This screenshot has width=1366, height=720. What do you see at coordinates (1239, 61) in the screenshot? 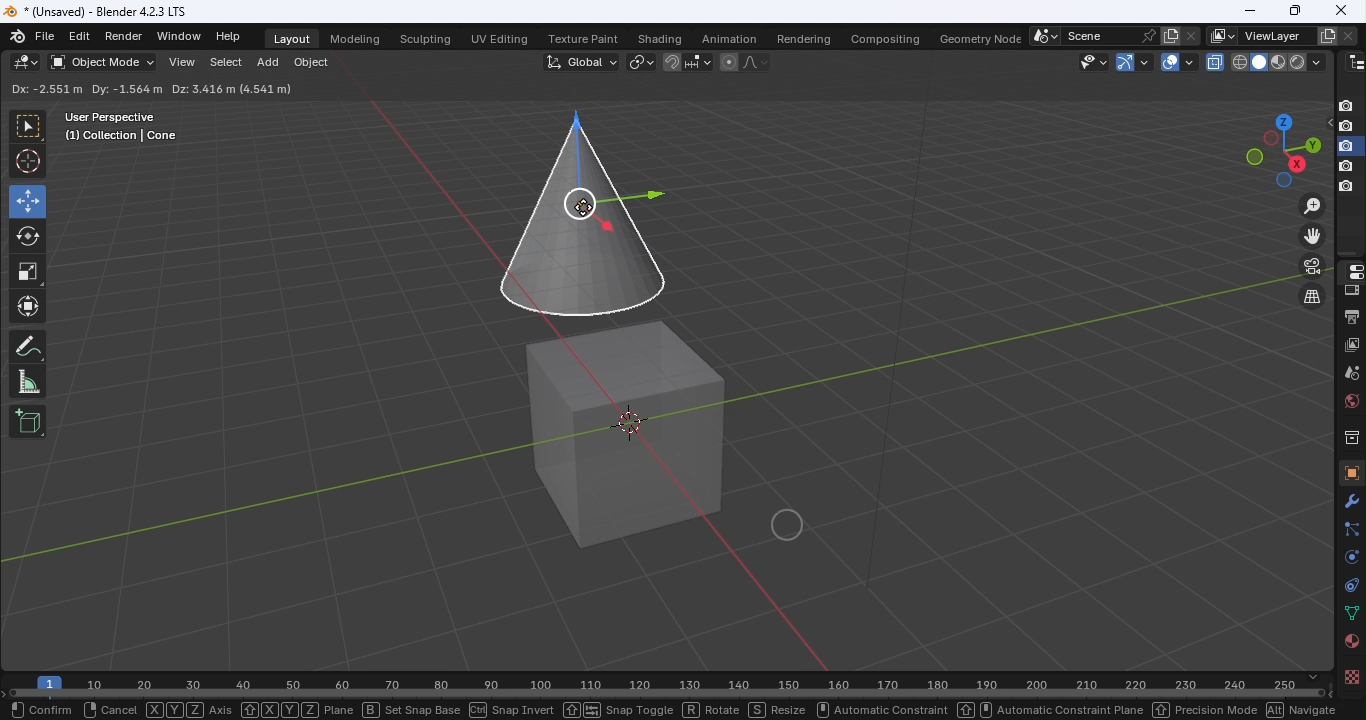
I see `viewpoint shader: wireframe` at bounding box center [1239, 61].